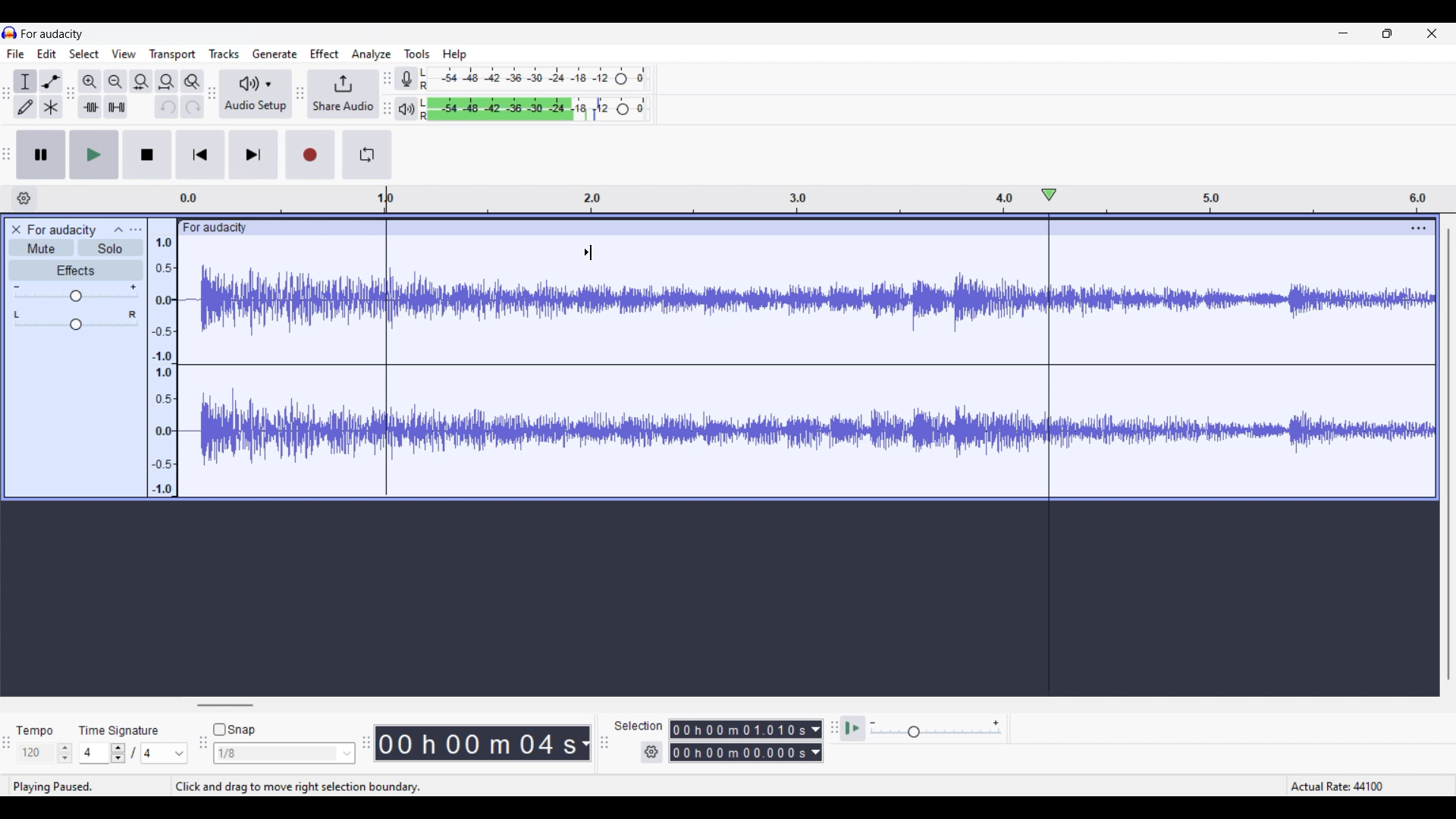 Image resolution: width=1456 pixels, height=819 pixels. Describe the element at coordinates (16, 54) in the screenshot. I see `File menu` at that location.